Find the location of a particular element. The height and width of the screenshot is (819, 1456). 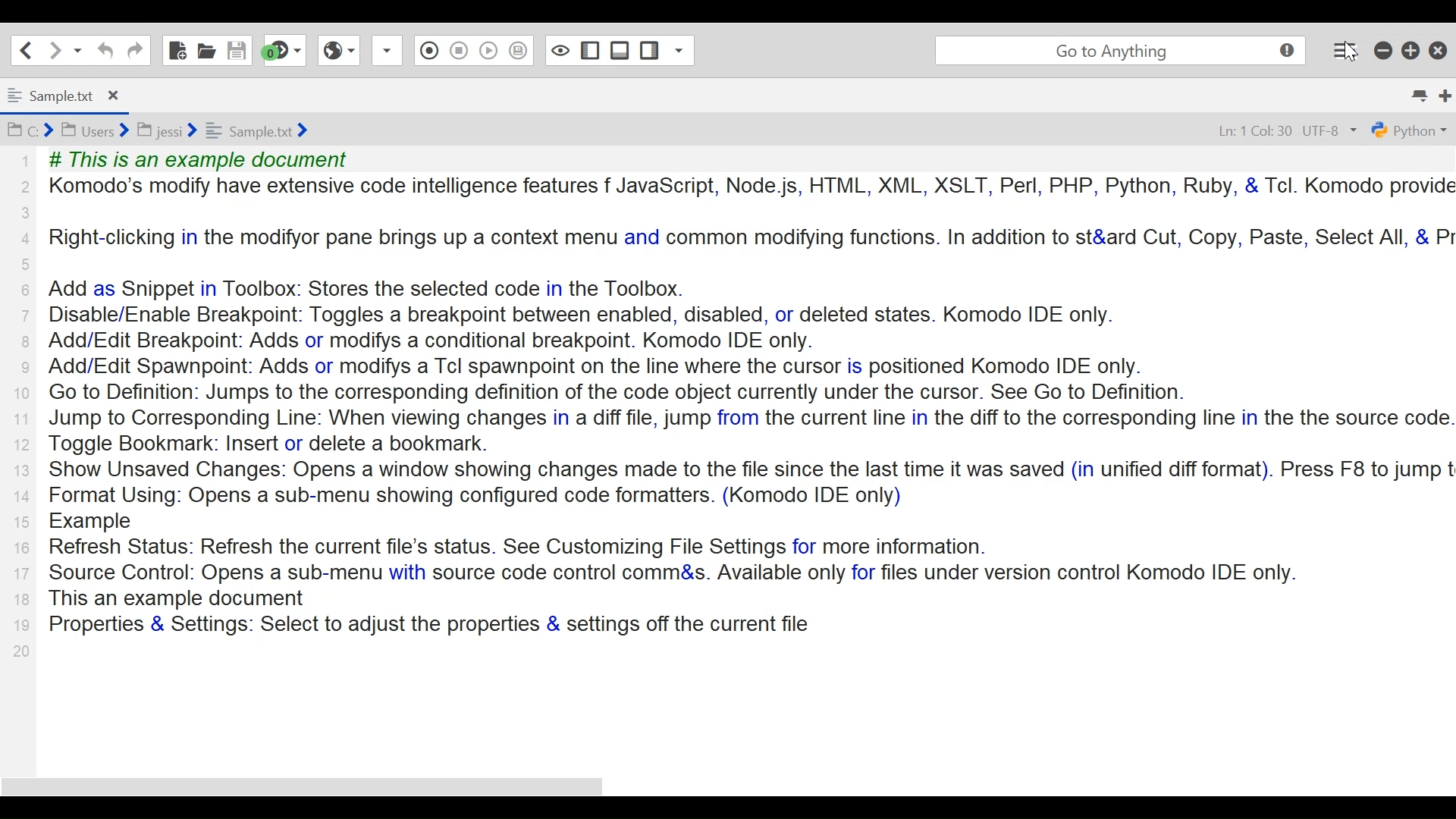

New Tab is located at coordinates (1440, 92).